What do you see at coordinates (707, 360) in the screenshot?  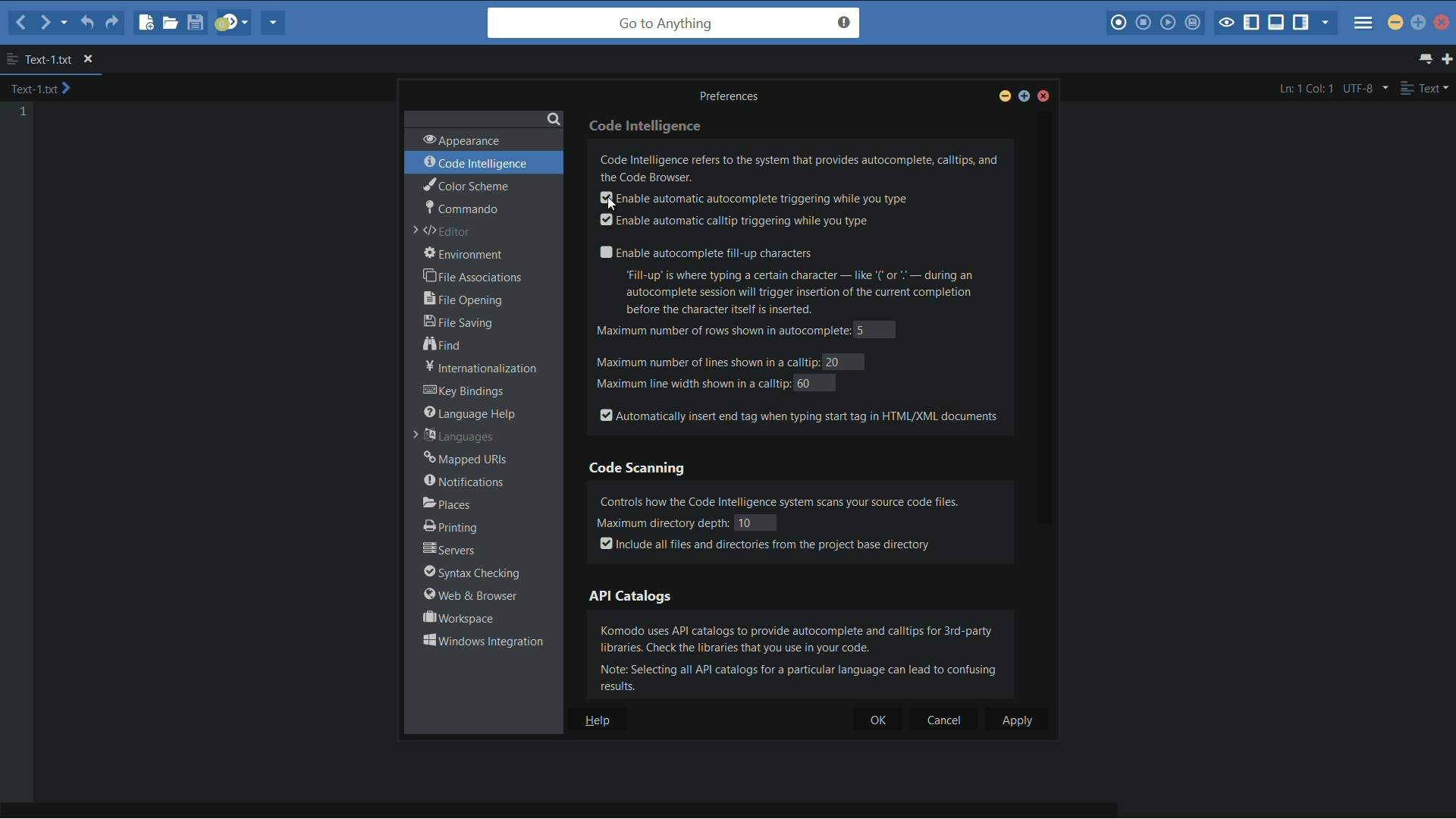 I see `maximum number of lines shown in a calltip:` at bounding box center [707, 360].